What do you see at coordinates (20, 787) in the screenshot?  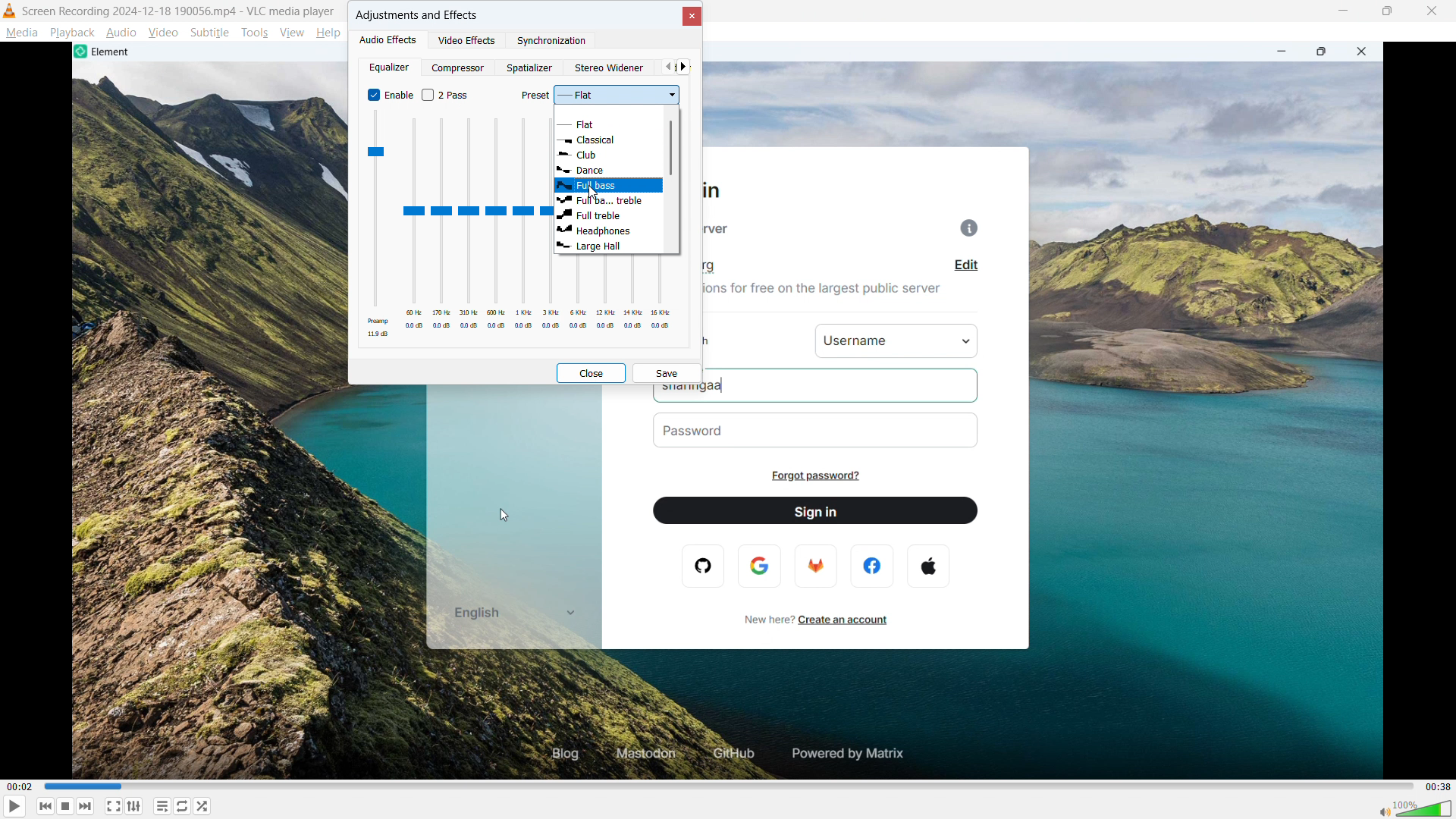 I see `00:38` at bounding box center [20, 787].